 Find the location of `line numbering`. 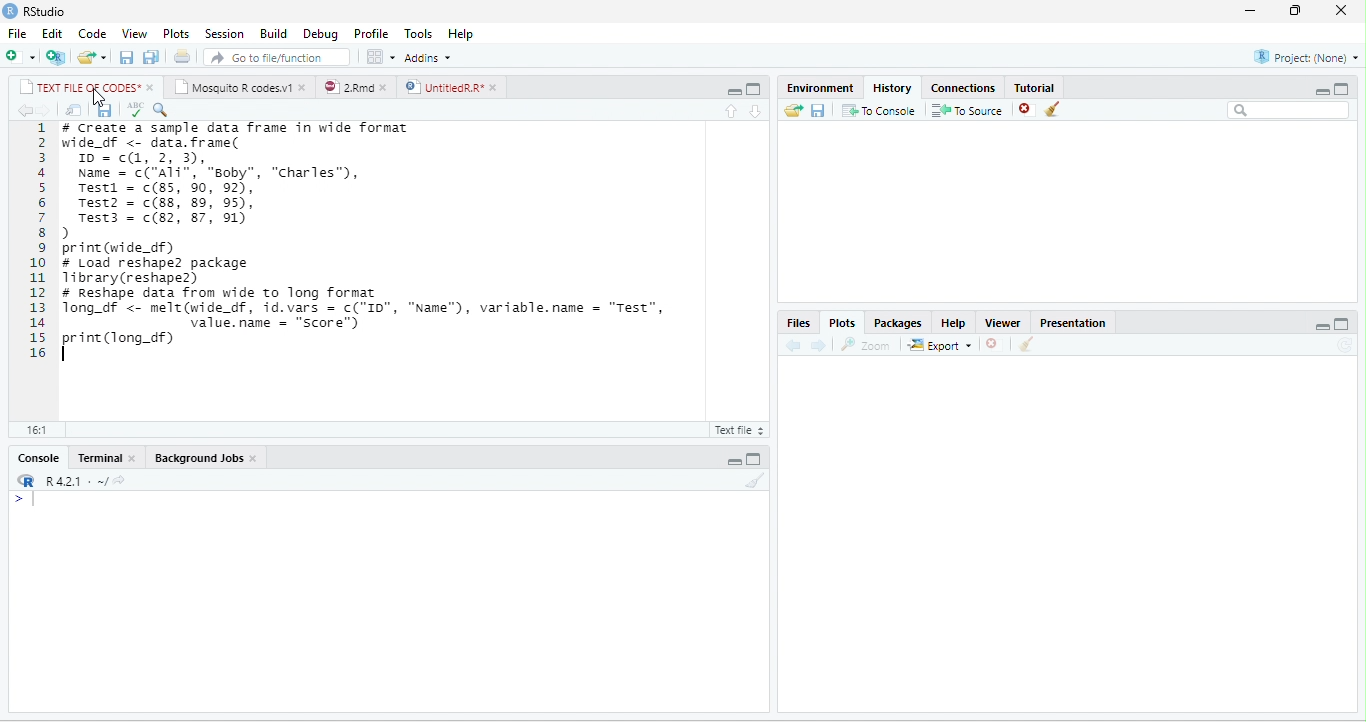

line numbering is located at coordinates (38, 239).